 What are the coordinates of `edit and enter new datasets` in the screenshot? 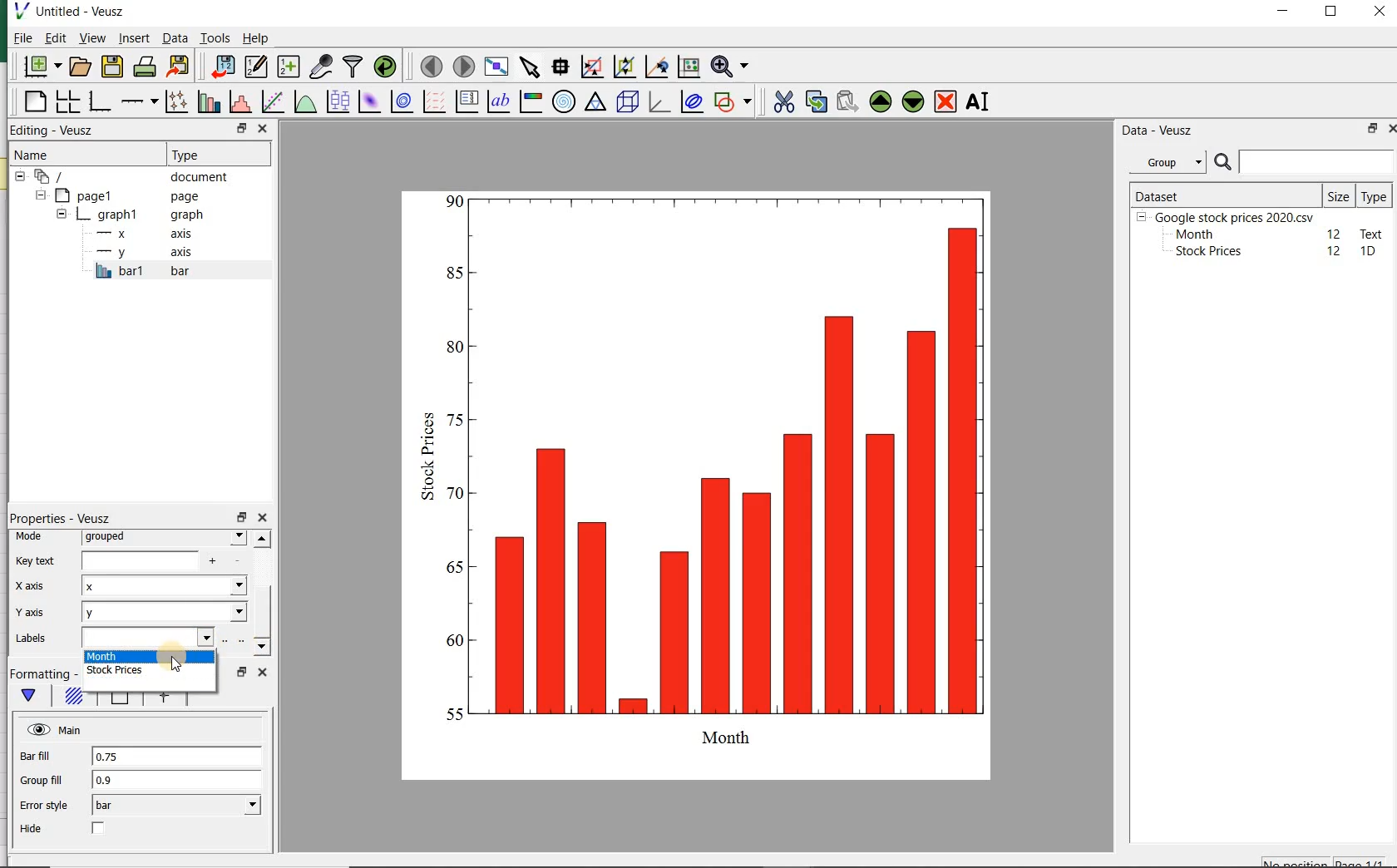 It's located at (255, 67).